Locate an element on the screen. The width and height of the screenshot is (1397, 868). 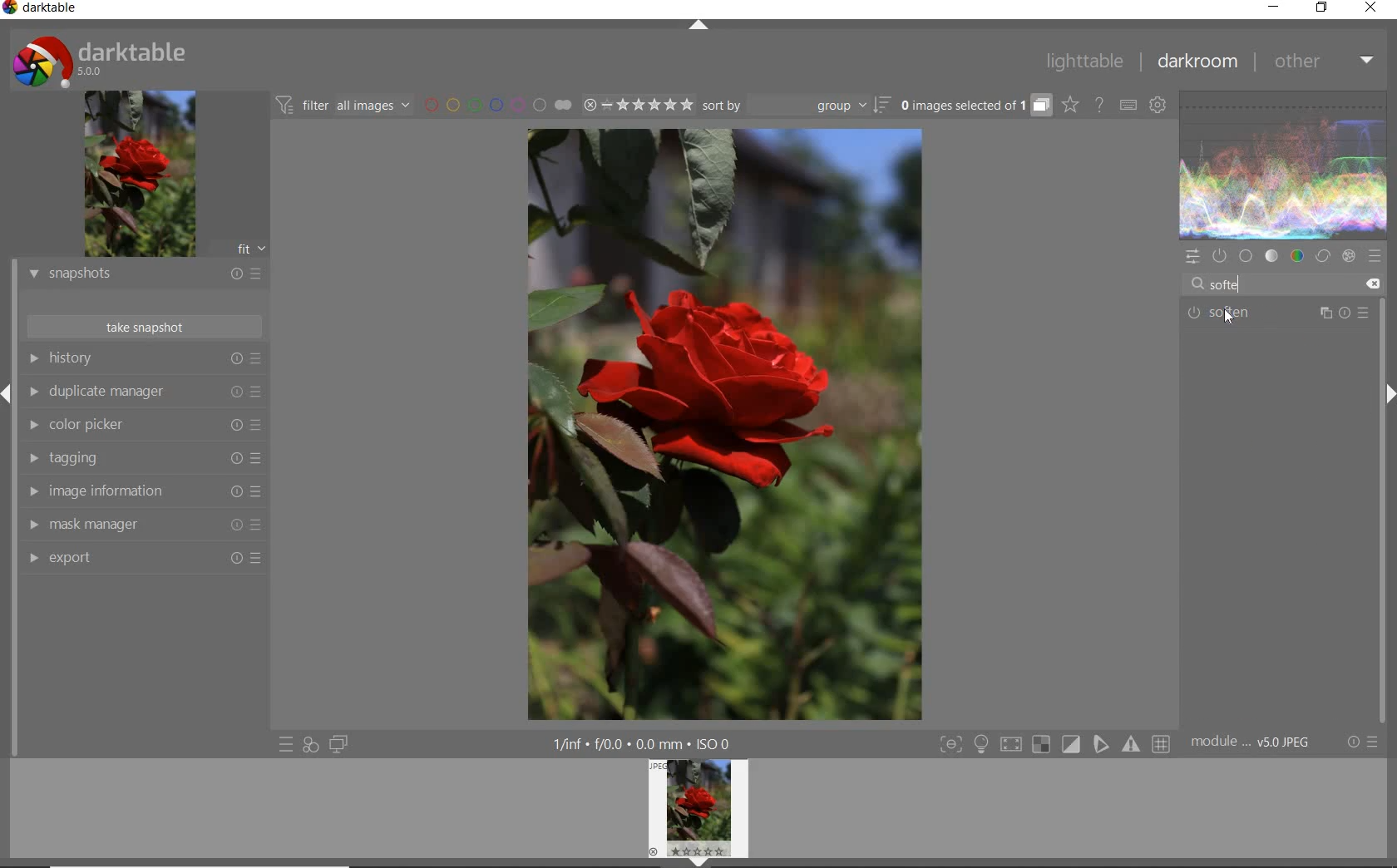
delete is located at coordinates (1374, 284).